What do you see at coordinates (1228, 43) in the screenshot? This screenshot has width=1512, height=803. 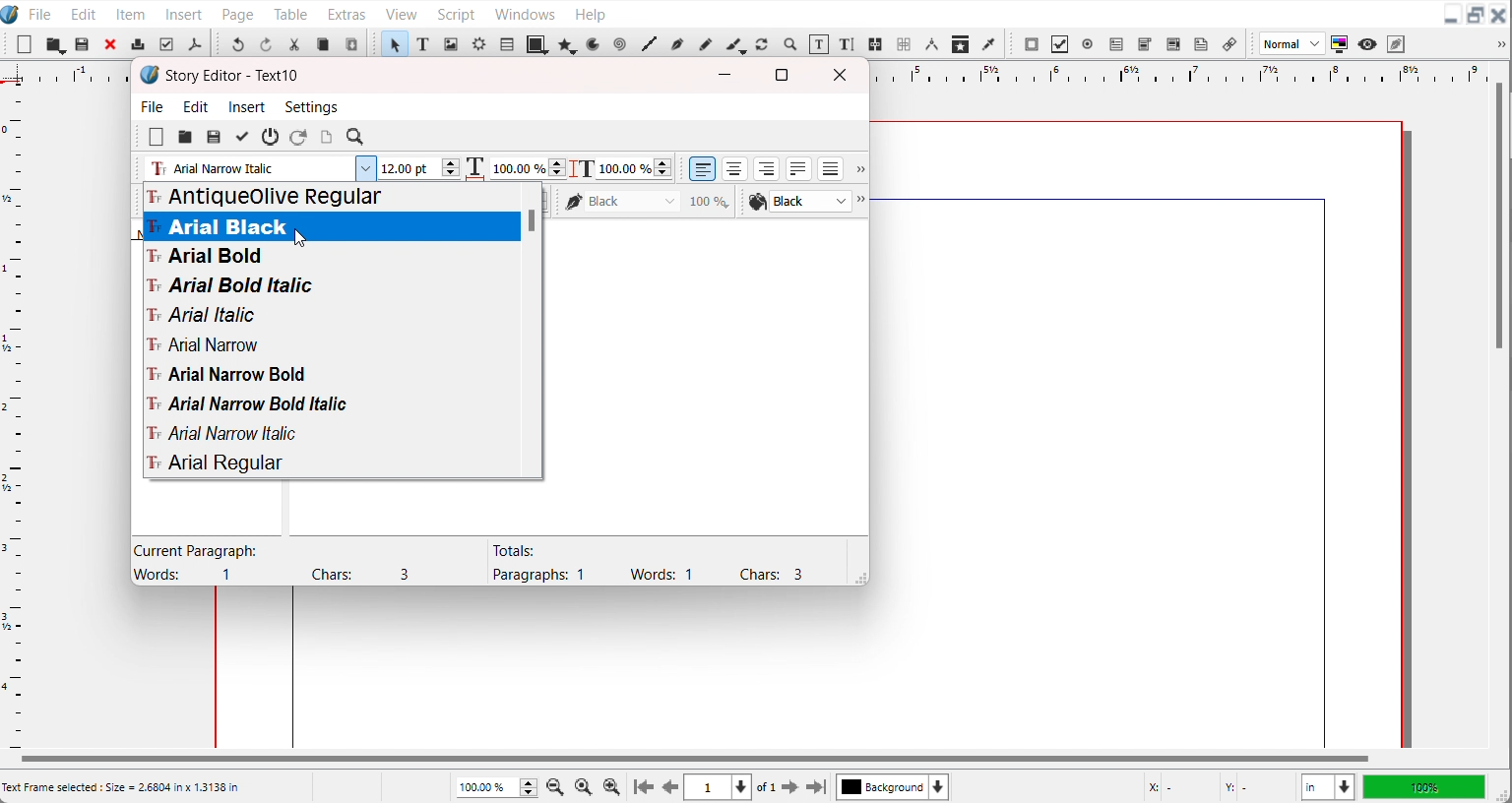 I see `List Annotation` at bounding box center [1228, 43].